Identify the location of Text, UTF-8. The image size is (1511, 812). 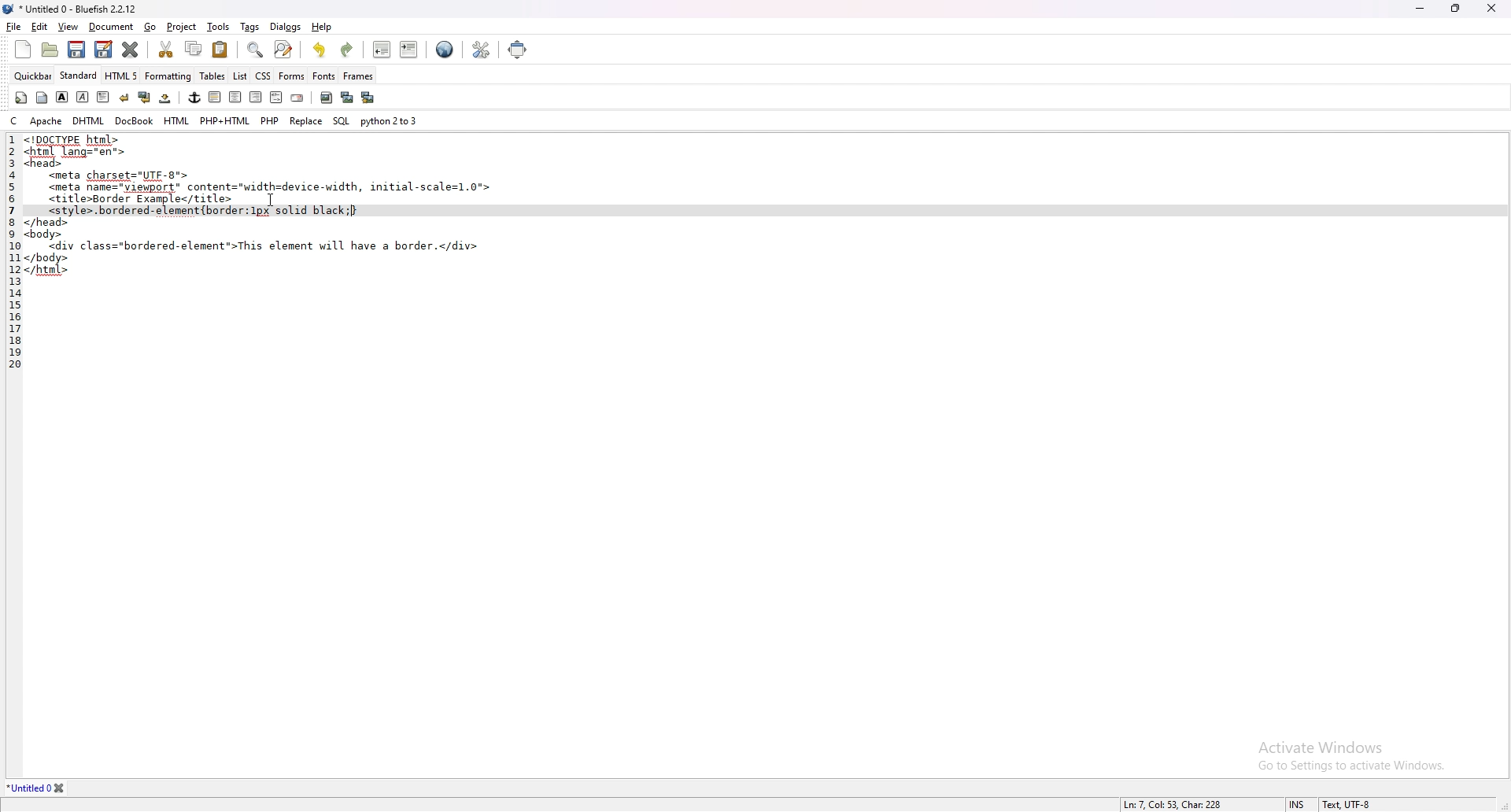
(1345, 804).